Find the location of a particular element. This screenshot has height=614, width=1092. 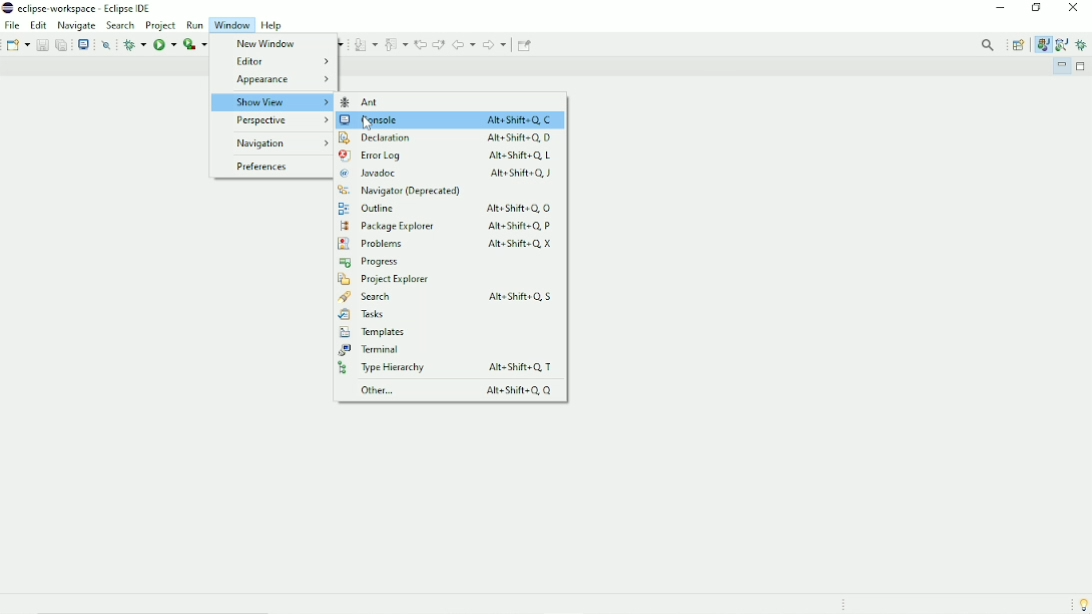

Run is located at coordinates (164, 44).